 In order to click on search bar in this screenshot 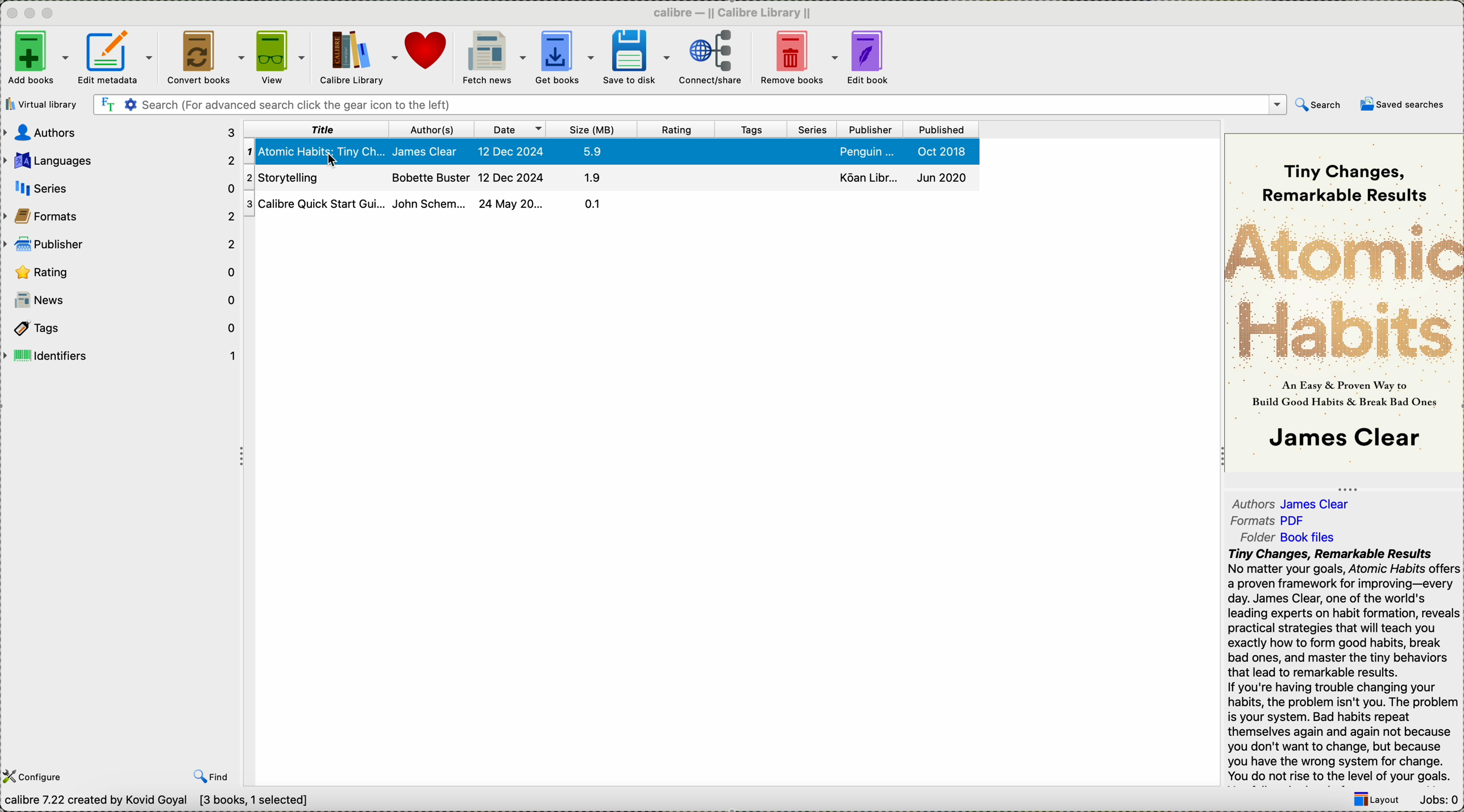, I will do `click(688, 105)`.